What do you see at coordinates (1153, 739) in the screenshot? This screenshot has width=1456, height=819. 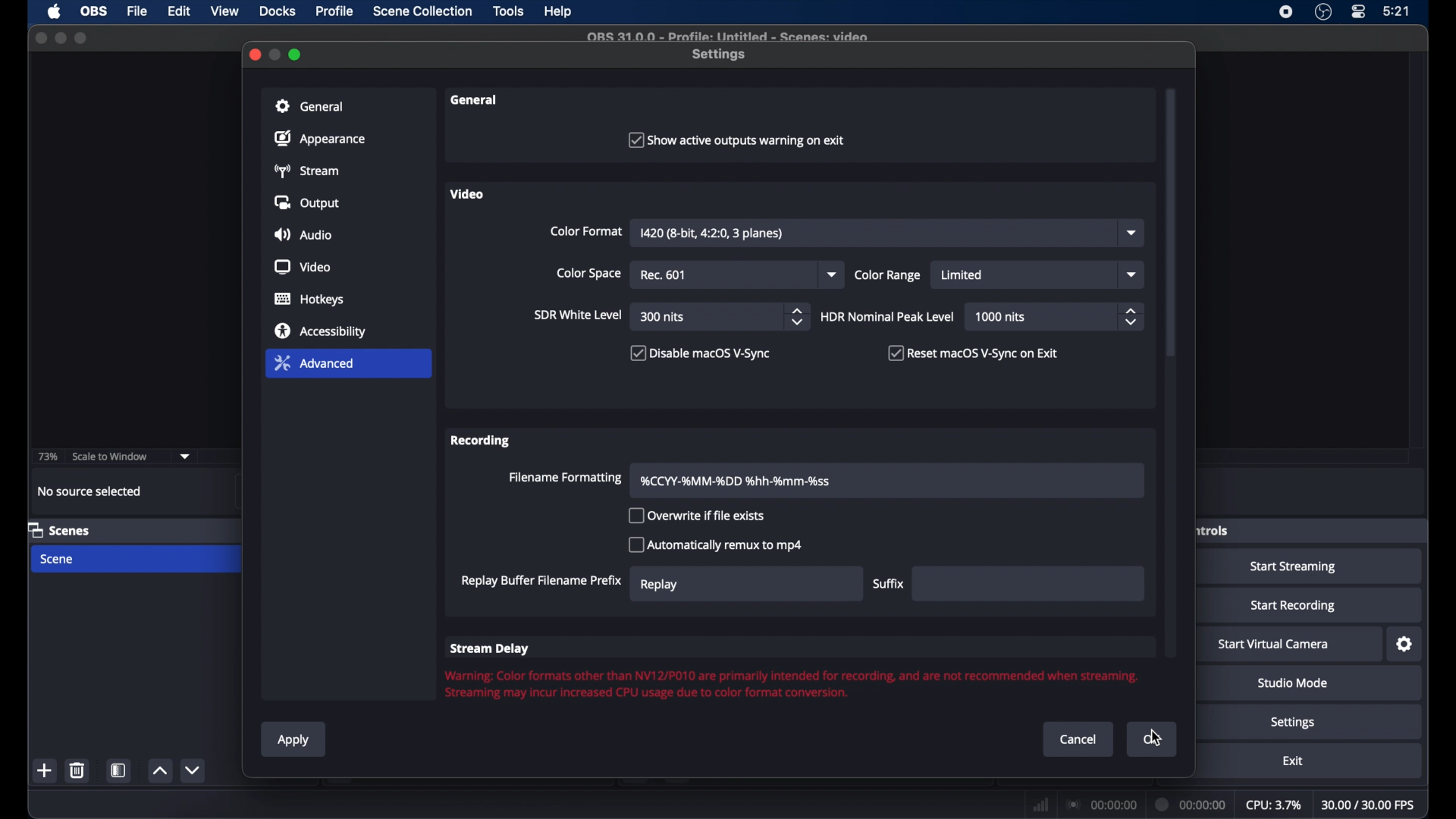 I see `ok` at bounding box center [1153, 739].